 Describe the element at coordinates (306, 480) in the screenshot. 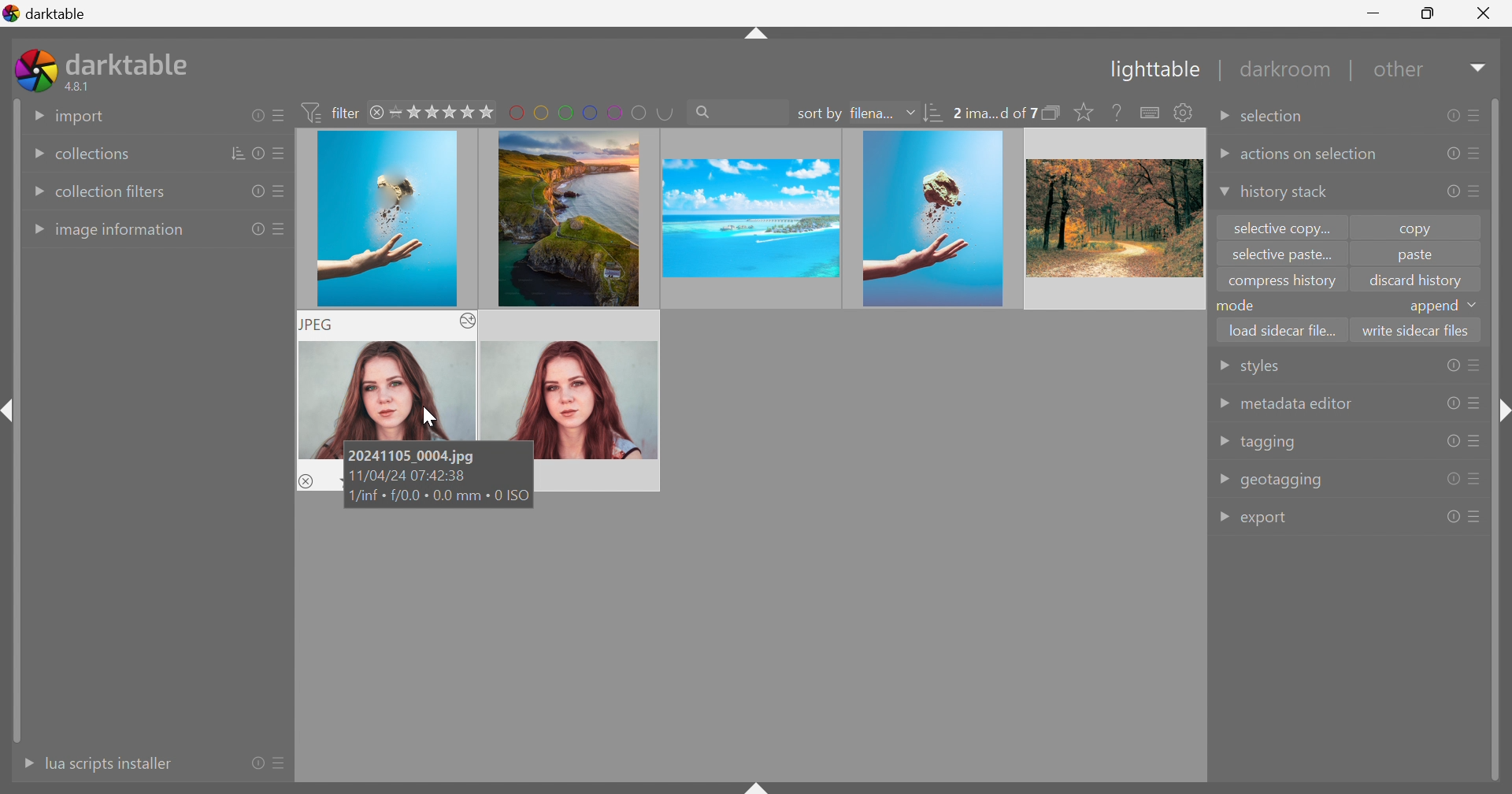

I see `Reject` at that location.